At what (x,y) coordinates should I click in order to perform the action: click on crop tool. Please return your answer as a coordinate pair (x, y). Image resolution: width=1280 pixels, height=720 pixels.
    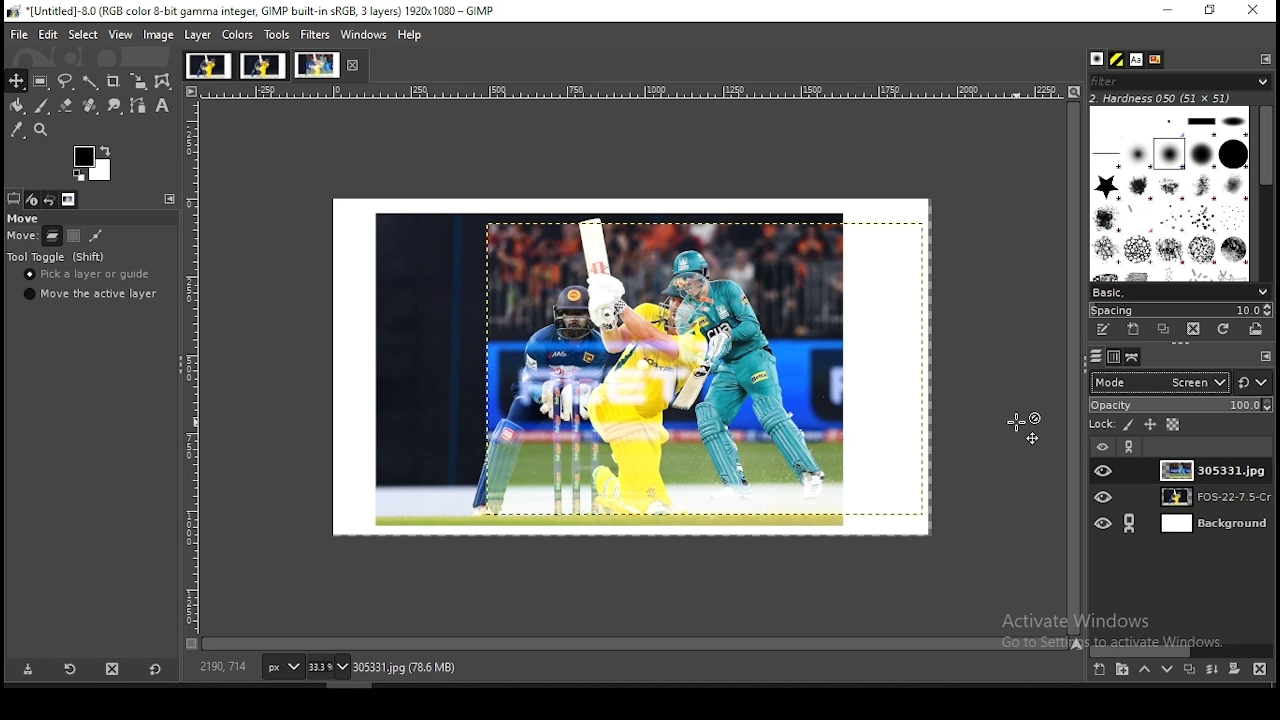
    Looking at the image, I should click on (114, 82).